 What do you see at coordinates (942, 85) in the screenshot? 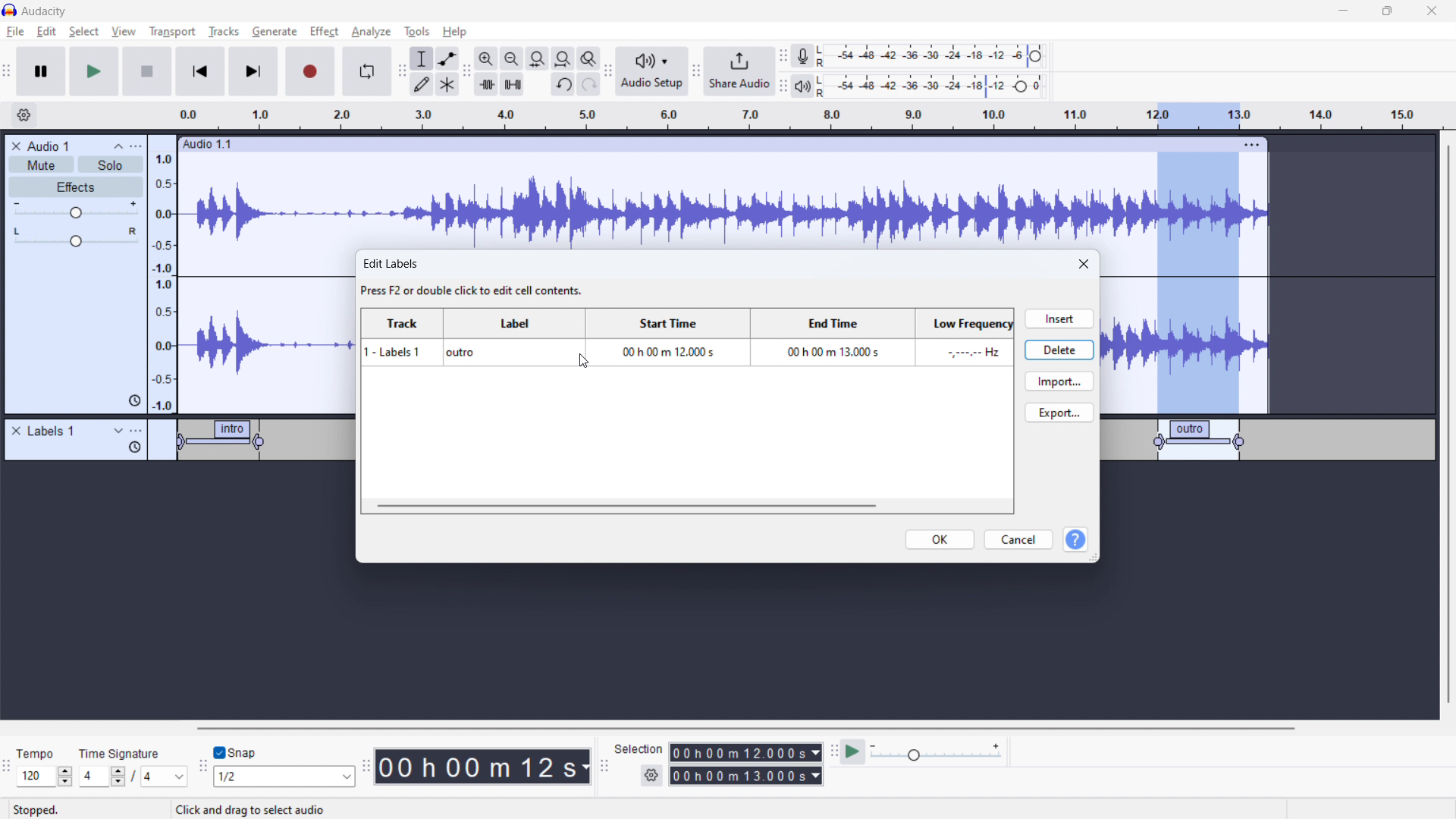
I see `playback level` at bounding box center [942, 85].